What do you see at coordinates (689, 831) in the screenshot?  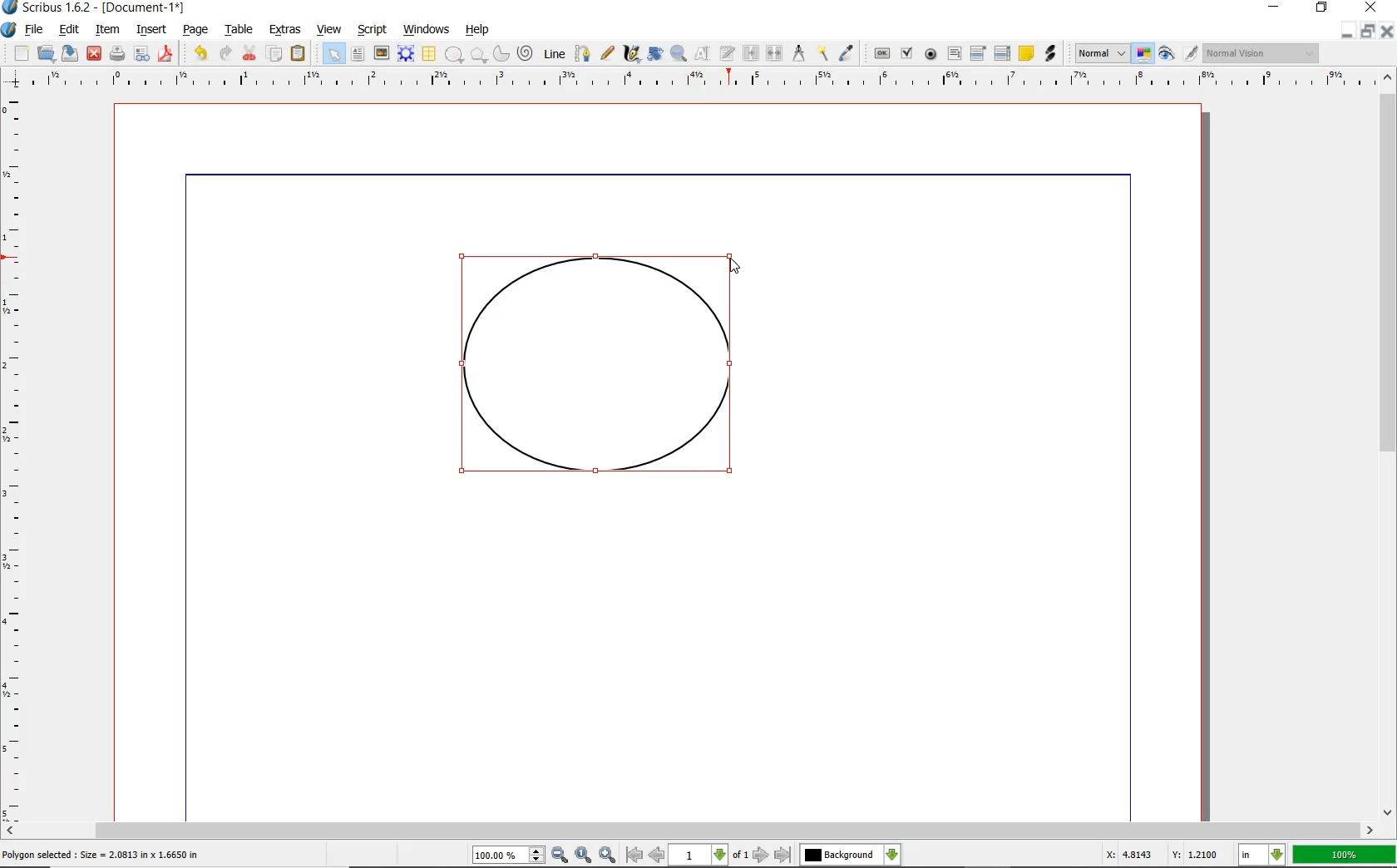 I see `SCROLLBAR` at bounding box center [689, 831].